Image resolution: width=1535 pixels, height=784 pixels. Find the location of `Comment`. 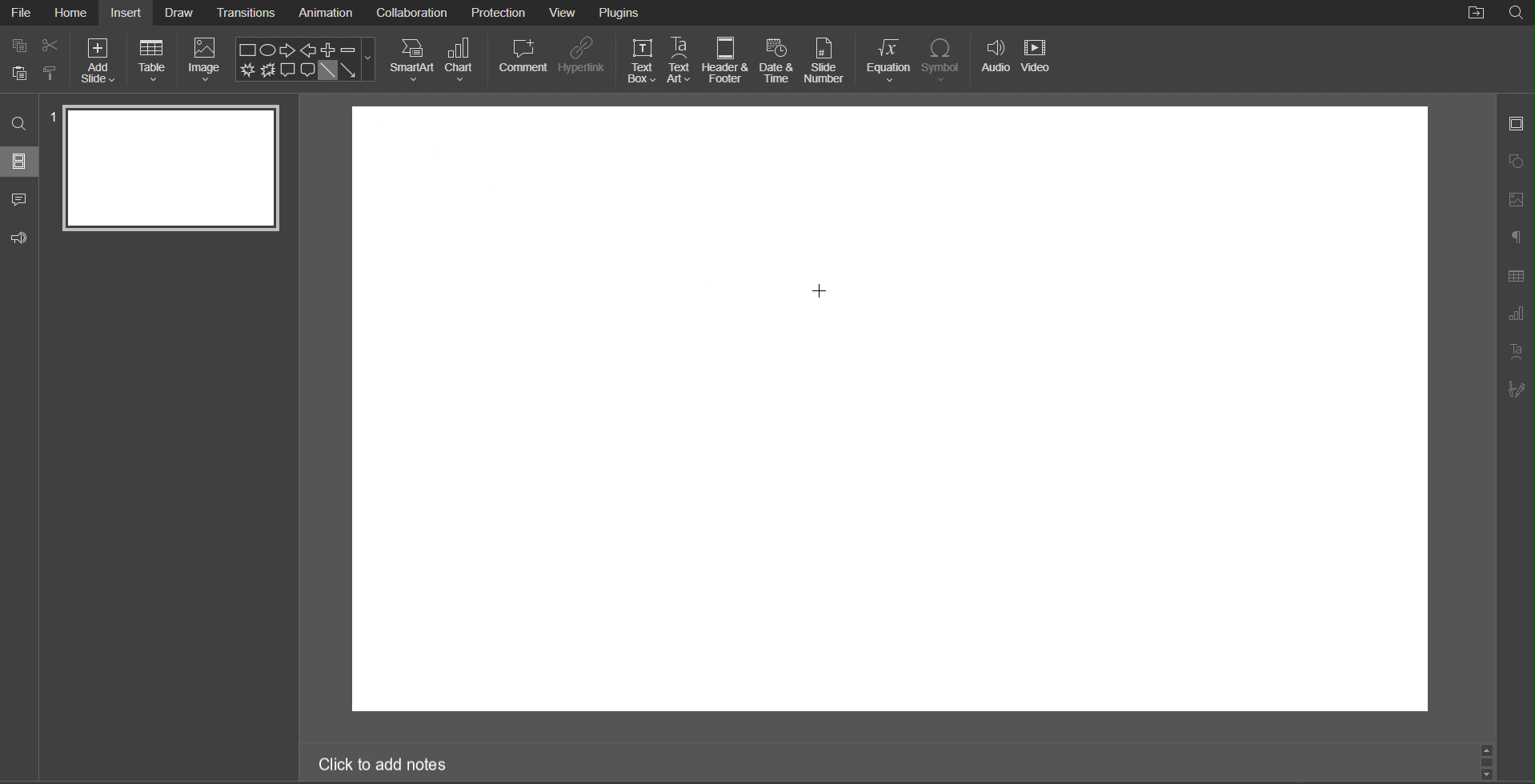

Comment is located at coordinates (522, 60).